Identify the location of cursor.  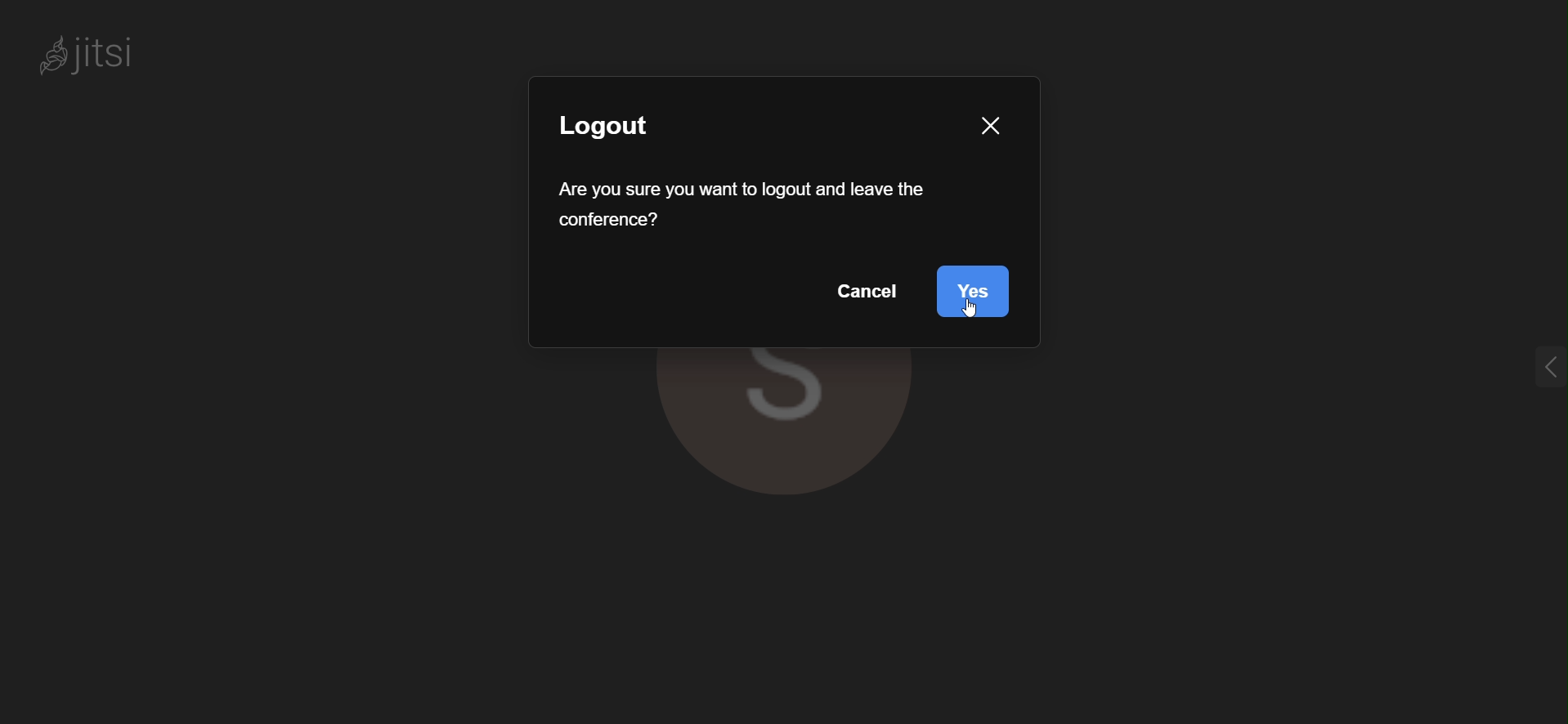
(971, 311).